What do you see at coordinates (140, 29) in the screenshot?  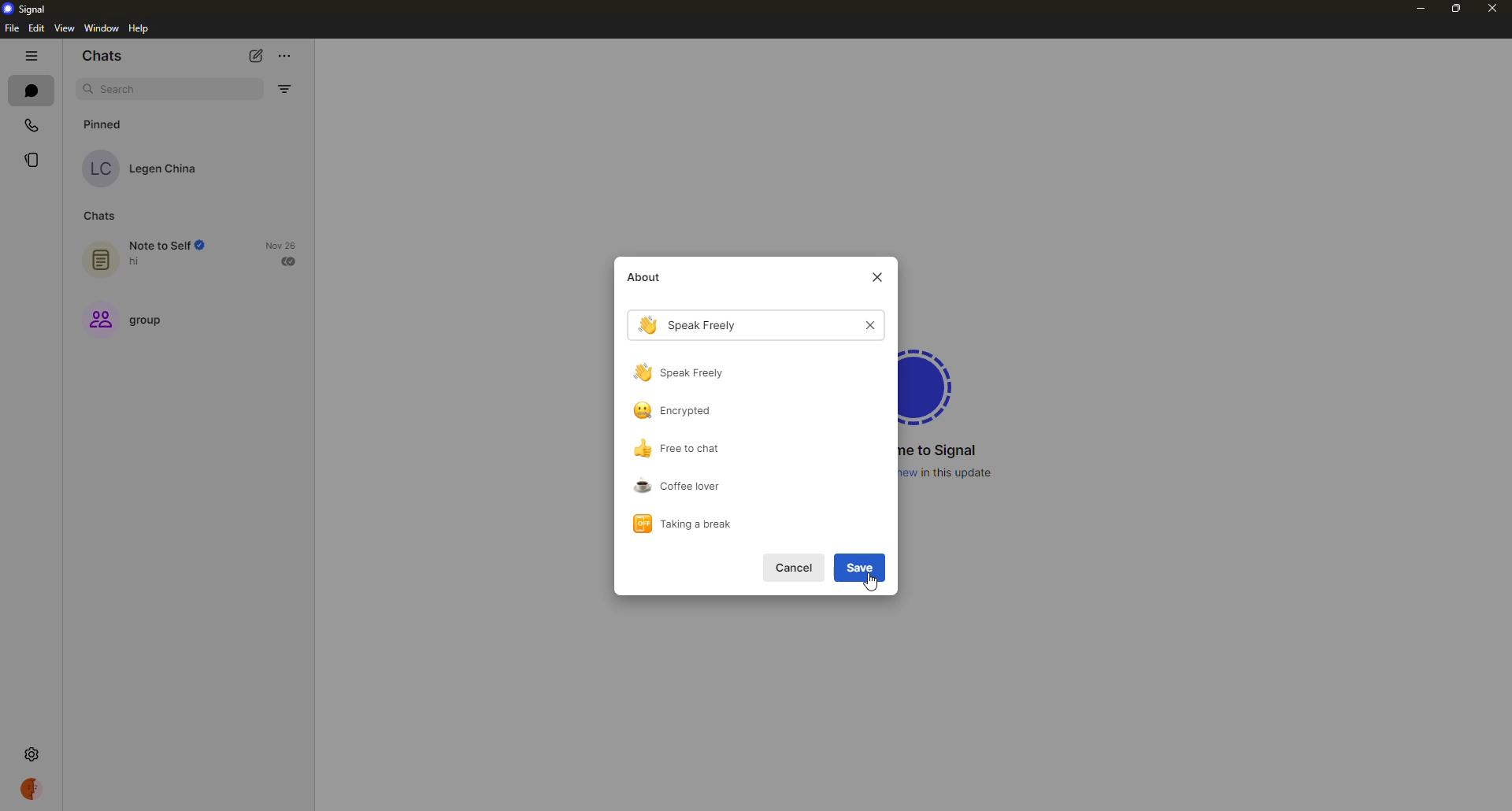 I see `help` at bounding box center [140, 29].